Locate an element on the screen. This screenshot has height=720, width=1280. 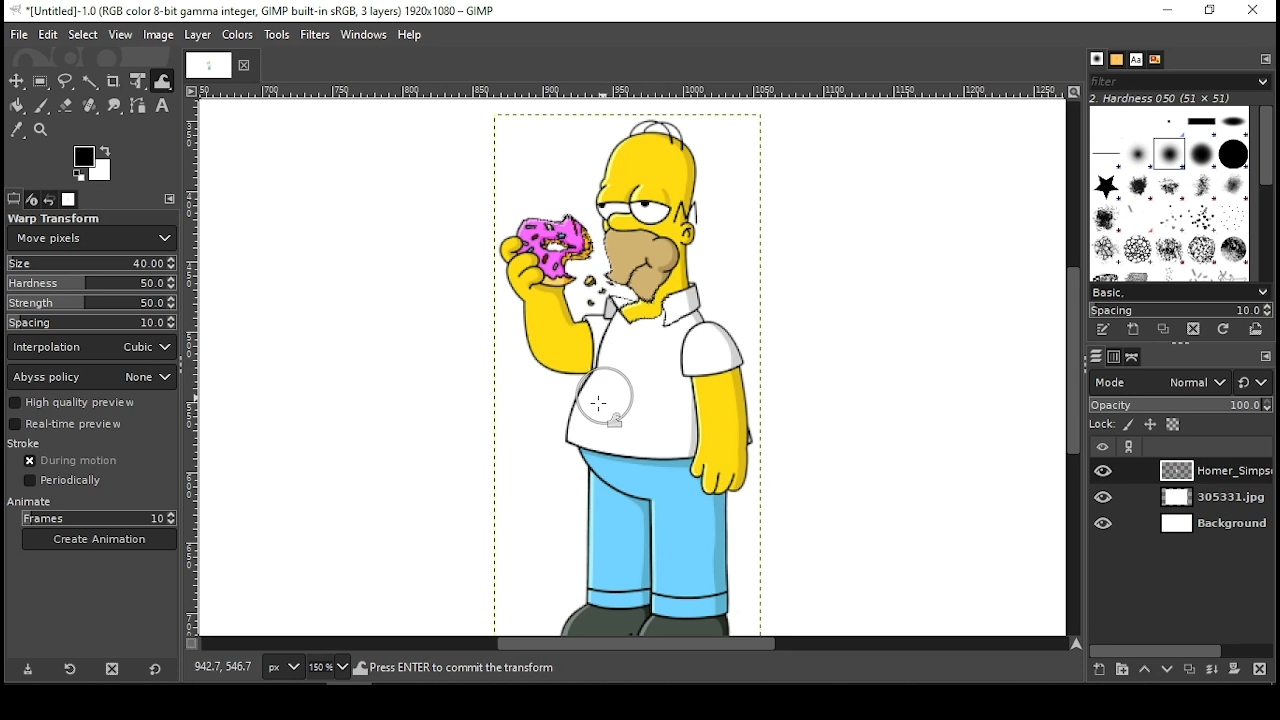
save tool preset is located at coordinates (27, 669).